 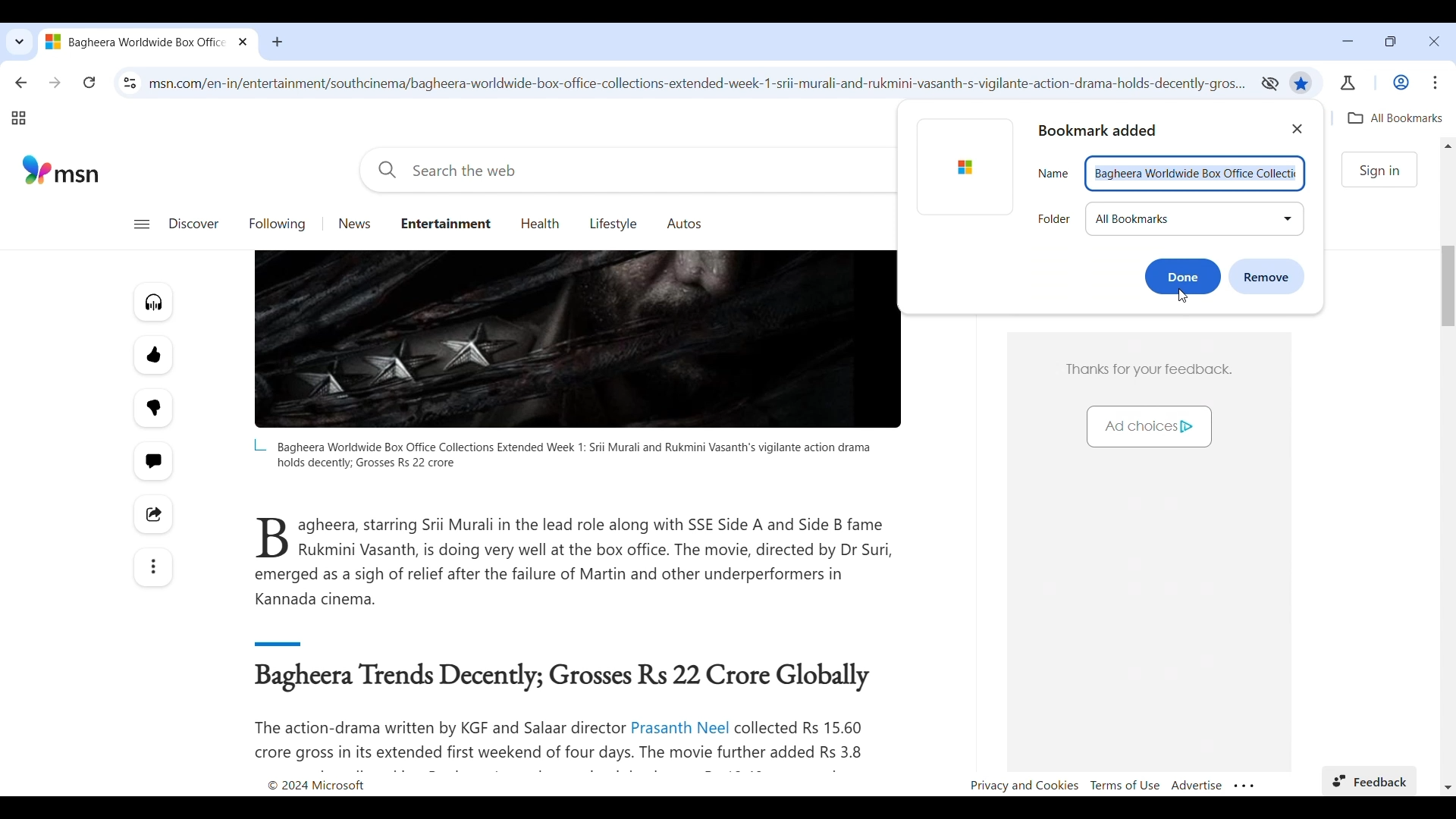 I want to click on Close tab, so click(x=244, y=41).